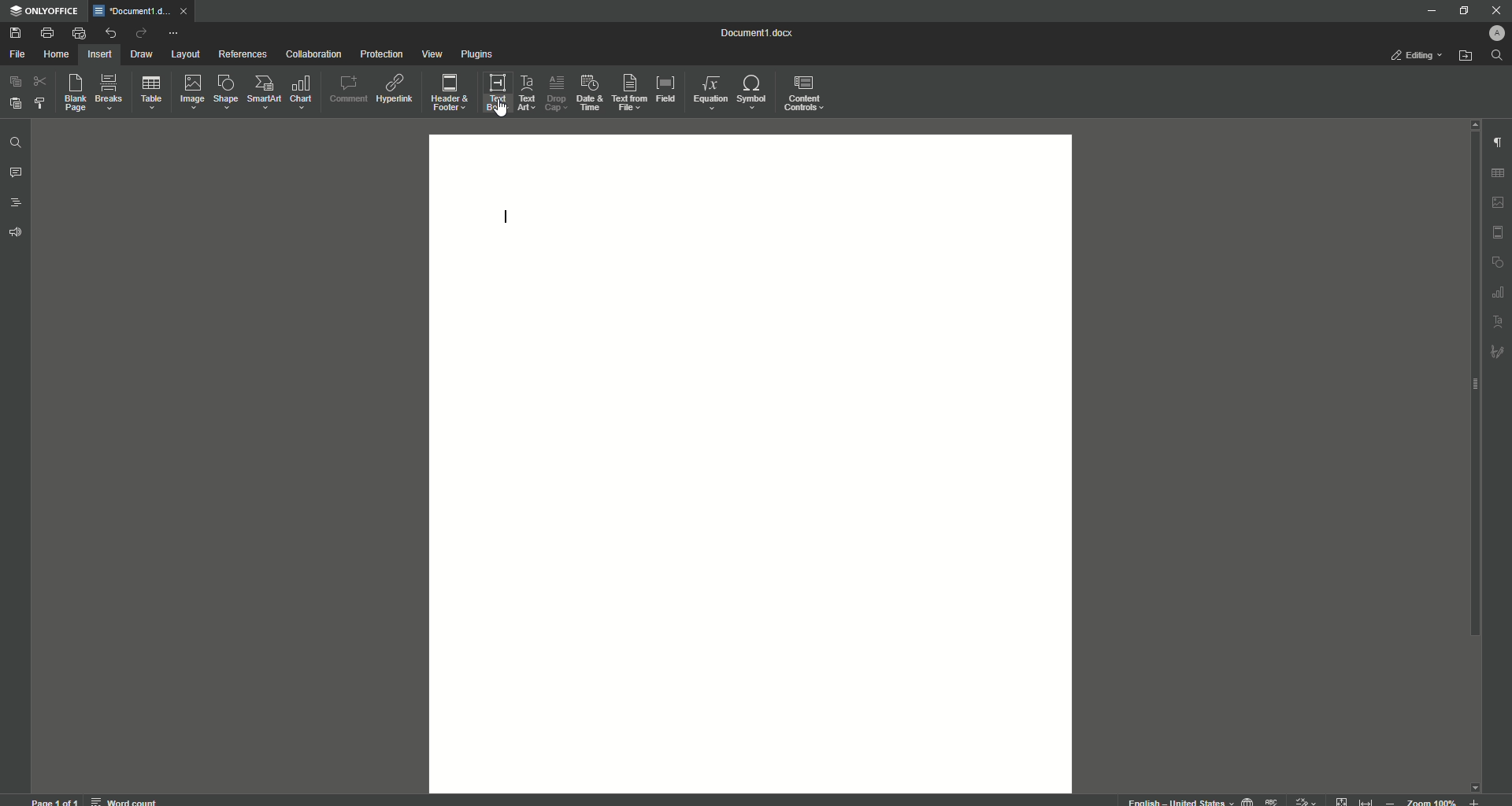 Image resolution: width=1512 pixels, height=806 pixels. I want to click on Table, so click(151, 95).